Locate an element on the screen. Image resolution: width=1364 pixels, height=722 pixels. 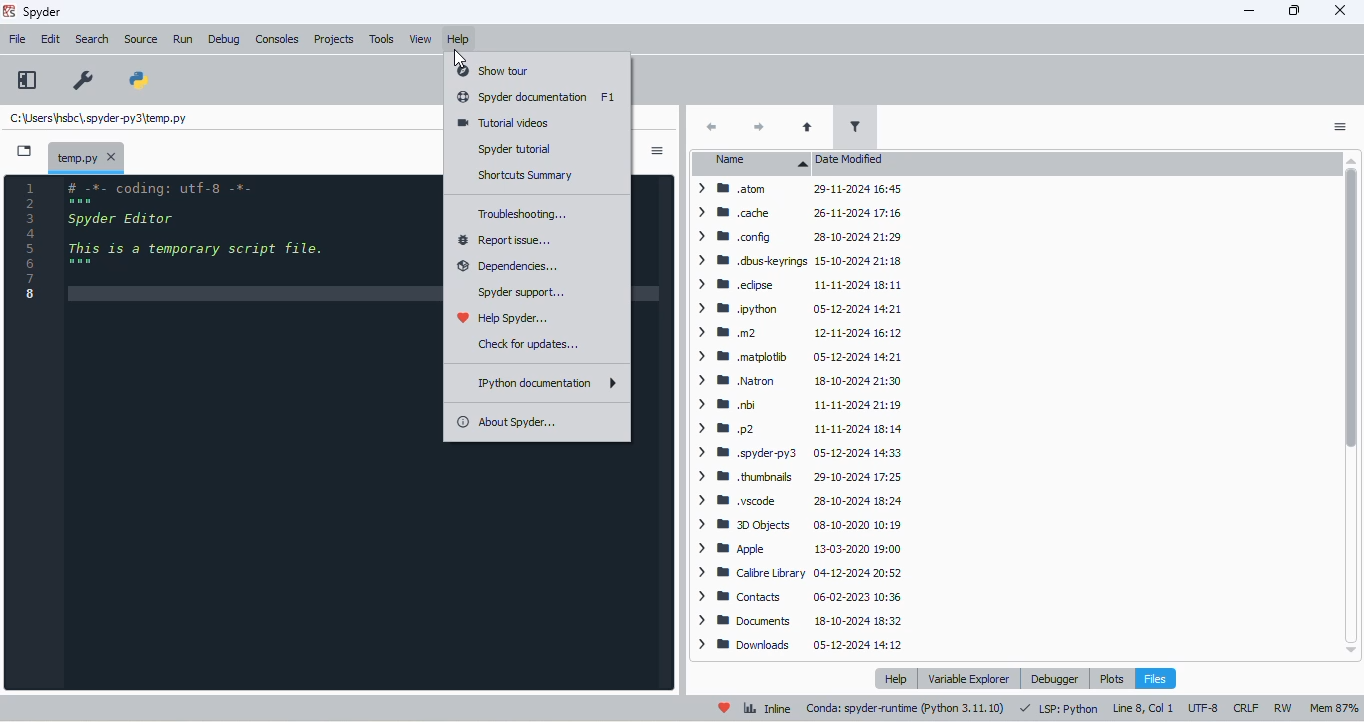
date modified is located at coordinates (851, 160).